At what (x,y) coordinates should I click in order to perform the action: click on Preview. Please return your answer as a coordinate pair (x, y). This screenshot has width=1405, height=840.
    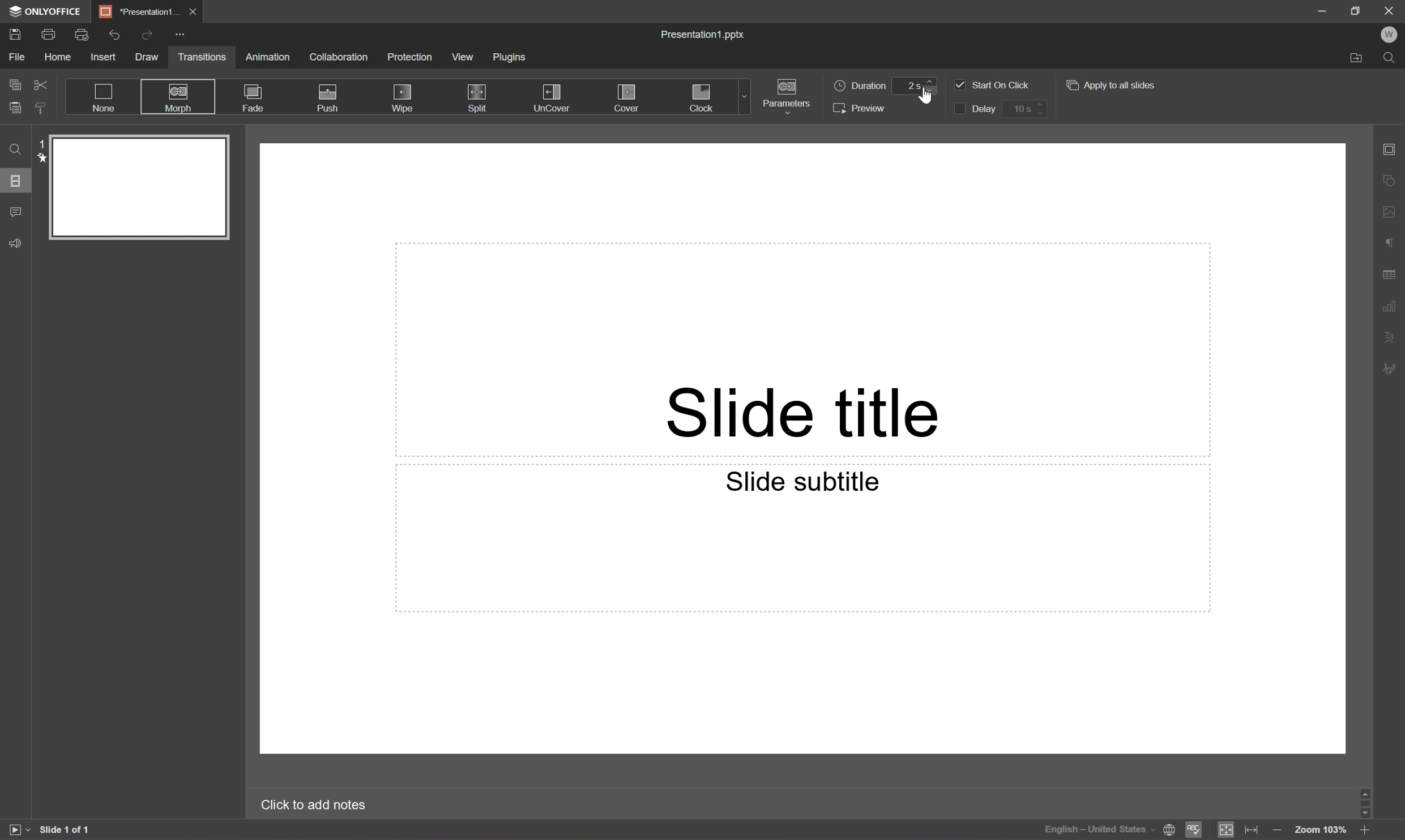
    Looking at the image, I should click on (860, 110).